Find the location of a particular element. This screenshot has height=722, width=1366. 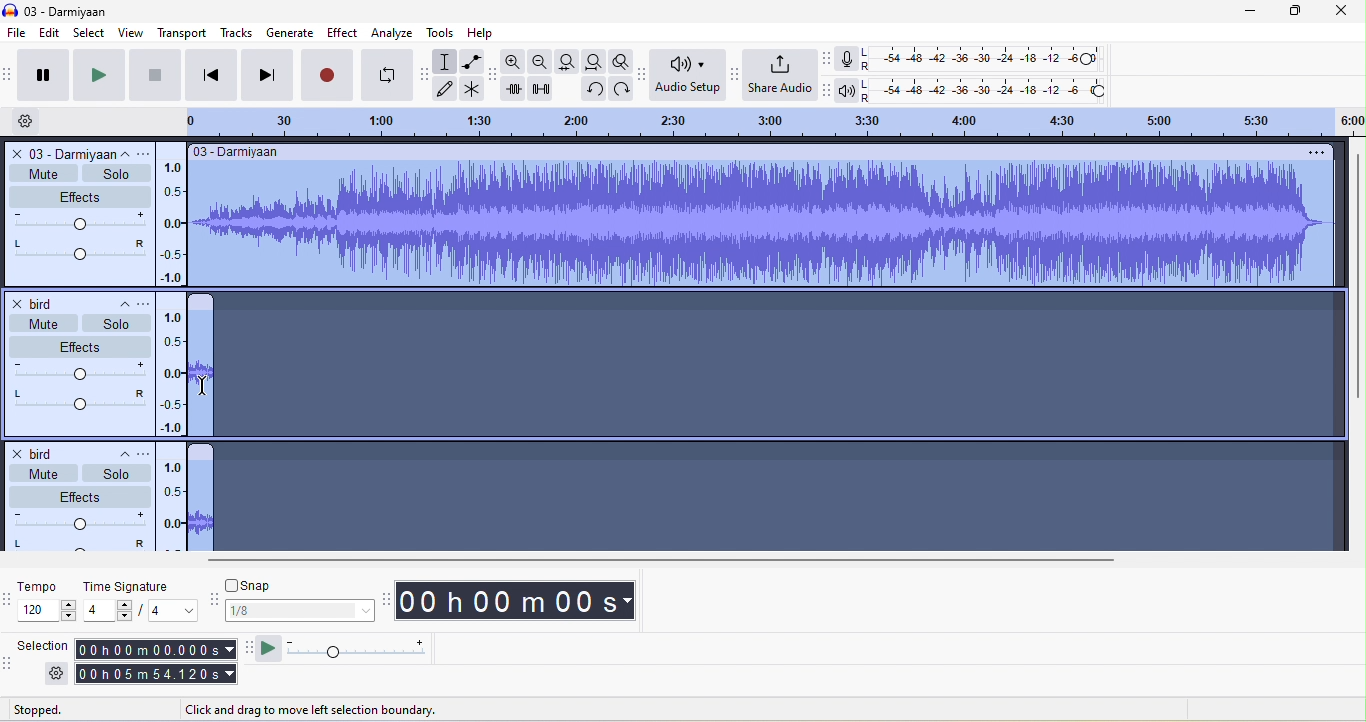

file selection to width is located at coordinates (570, 61).